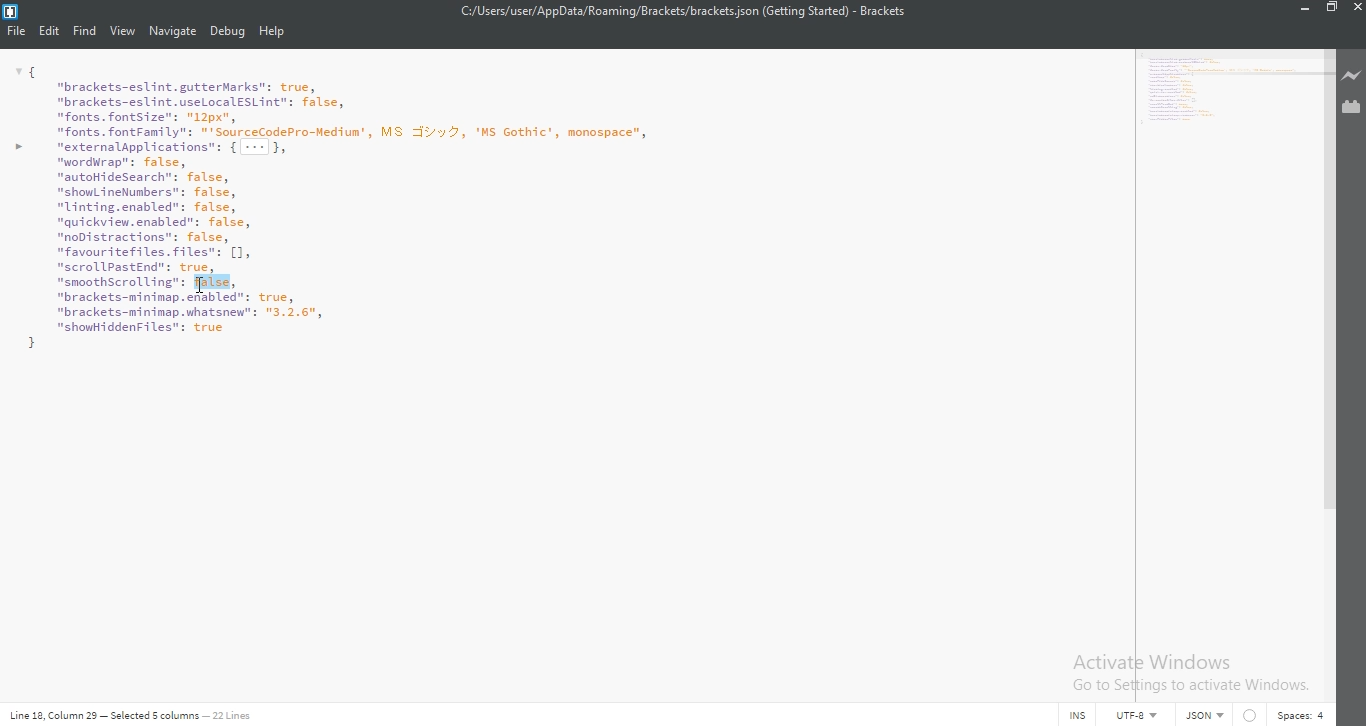 The width and height of the screenshot is (1366, 726). I want to click on space:4, so click(1301, 715).